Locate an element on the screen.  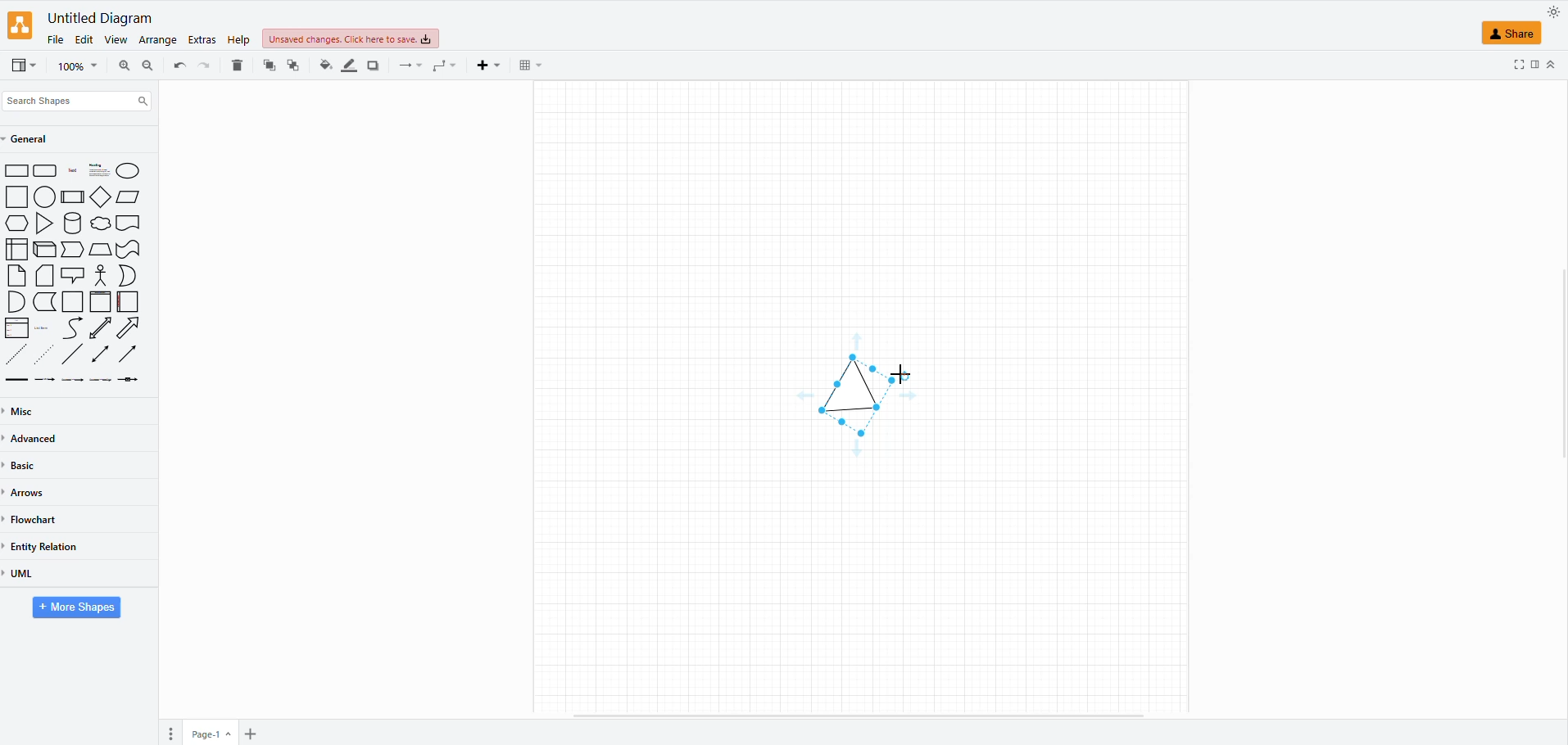
Flag is located at coordinates (129, 251).